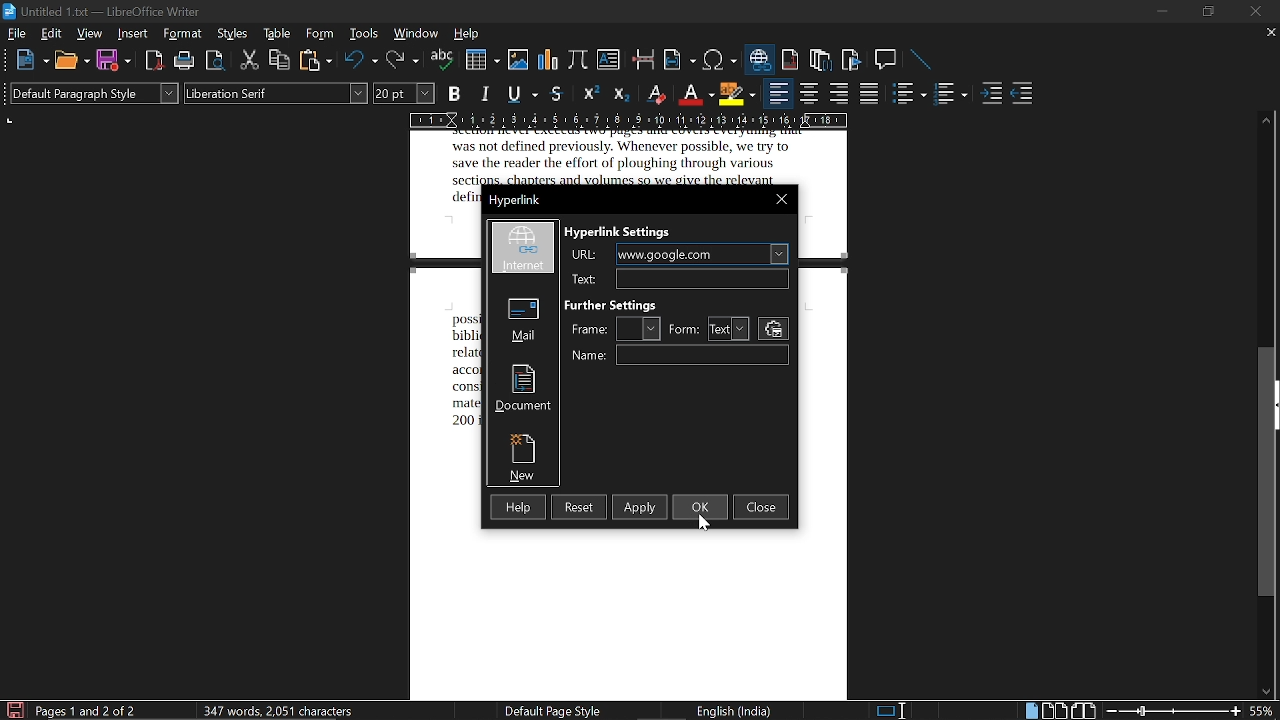  I want to click on settings, so click(775, 330).